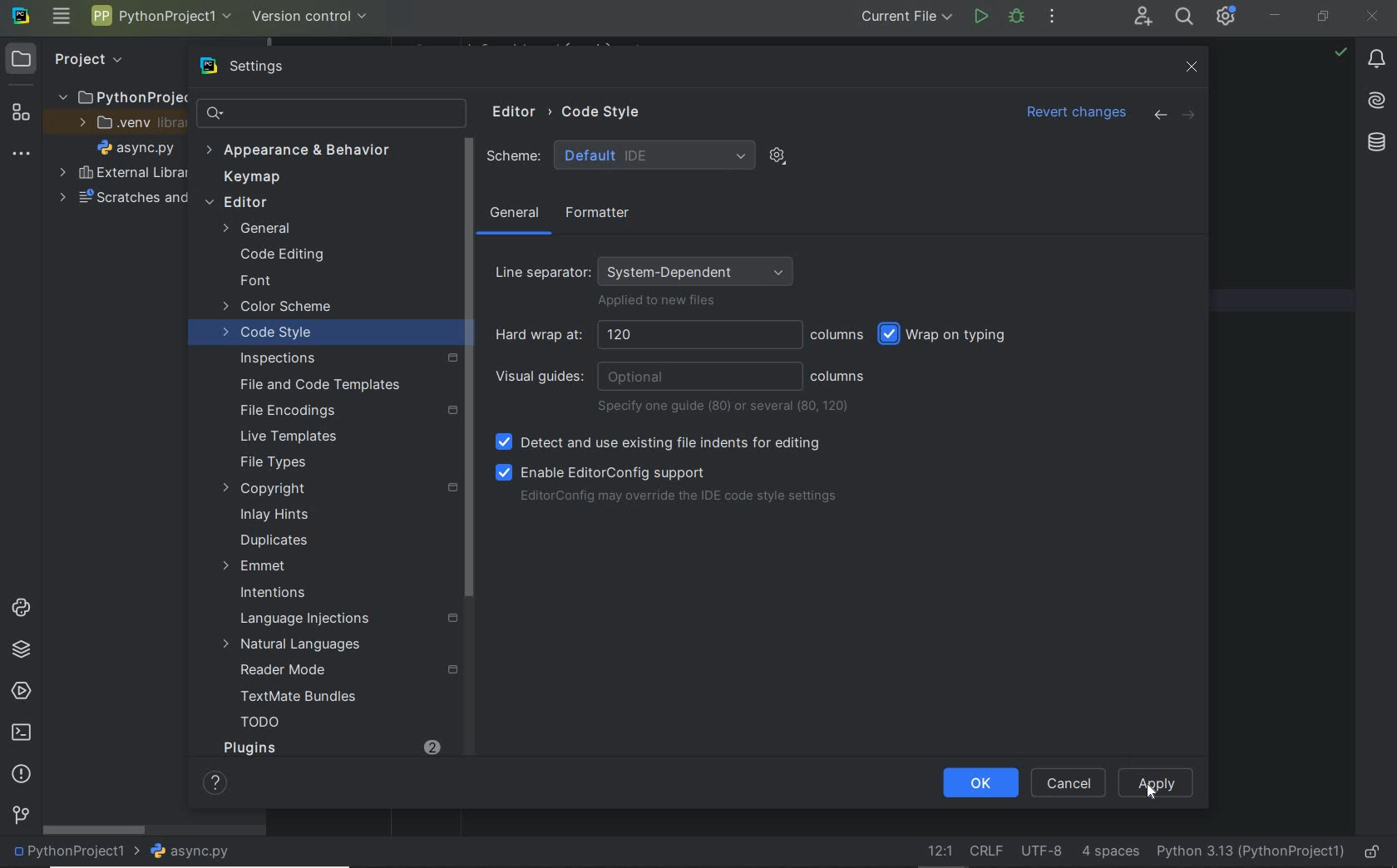 This screenshot has width=1397, height=868. I want to click on revert changes, so click(1076, 116).